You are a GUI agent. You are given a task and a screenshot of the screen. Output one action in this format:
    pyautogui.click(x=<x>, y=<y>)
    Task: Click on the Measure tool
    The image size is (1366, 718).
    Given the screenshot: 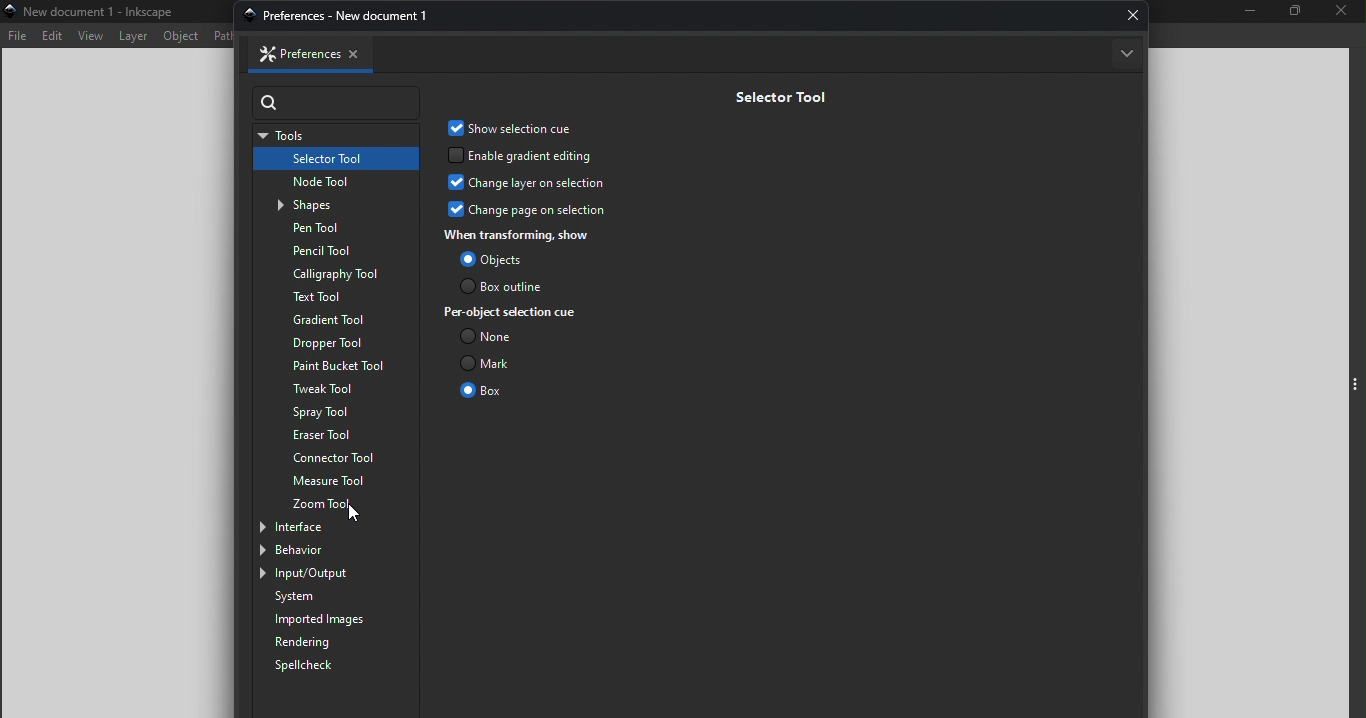 What is the action you would take?
    pyautogui.click(x=333, y=480)
    